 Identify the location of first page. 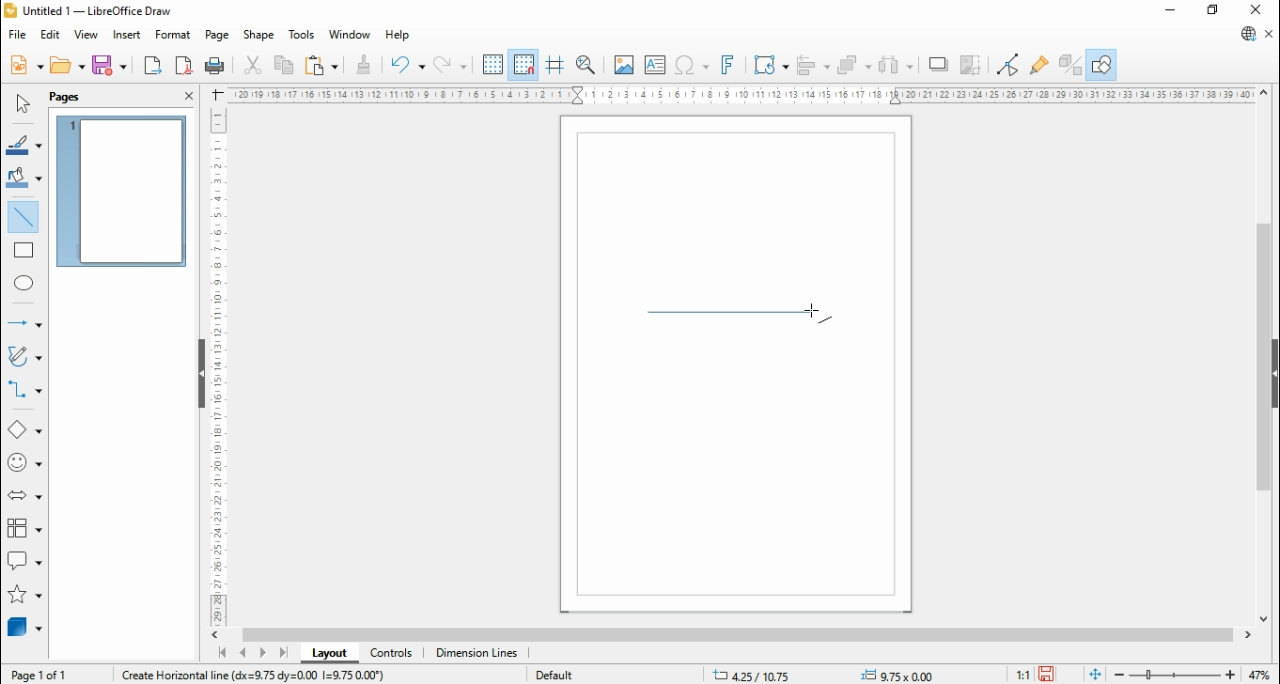
(220, 653).